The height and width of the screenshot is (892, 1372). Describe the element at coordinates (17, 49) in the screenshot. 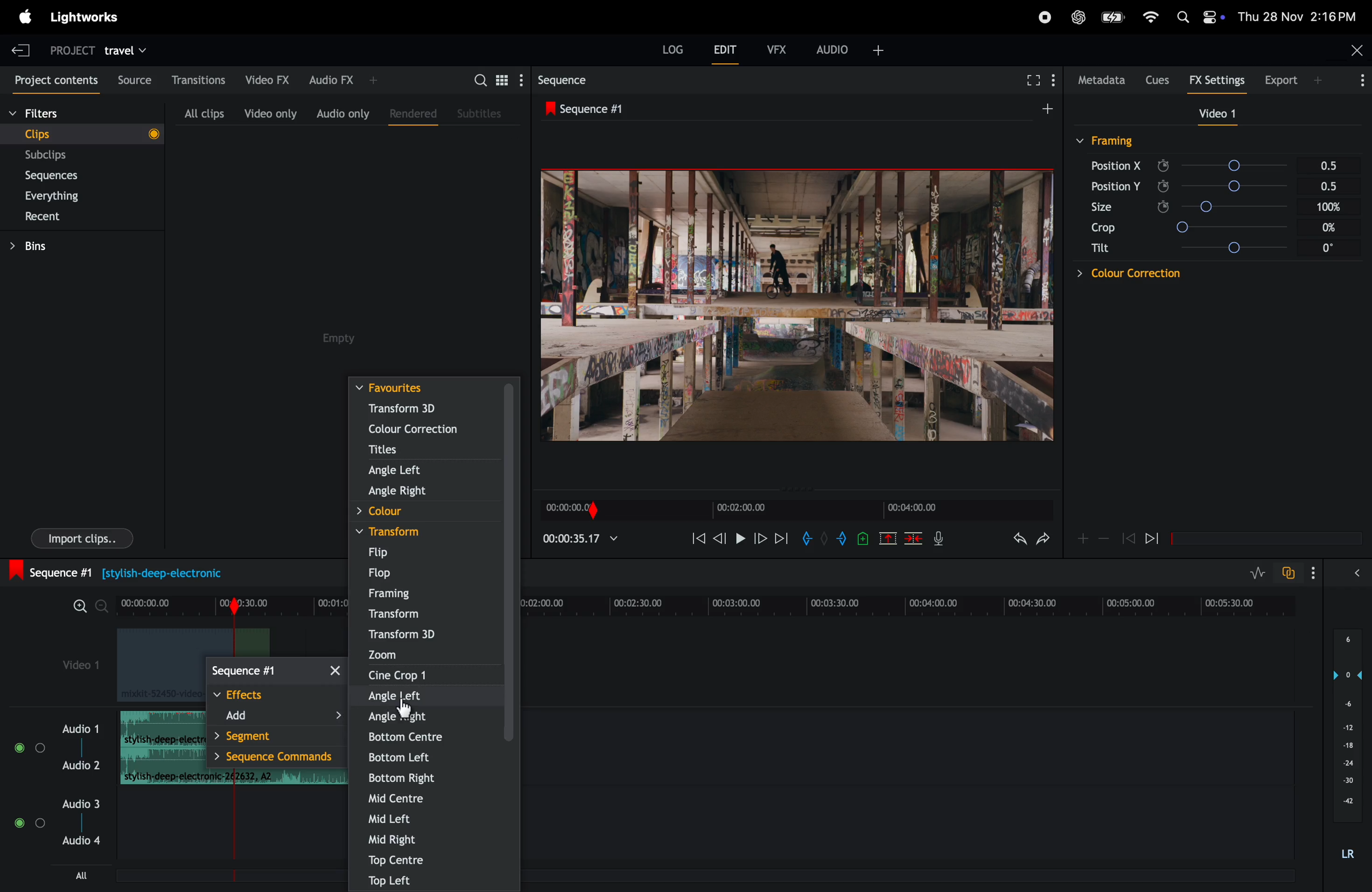

I see `exit` at that location.